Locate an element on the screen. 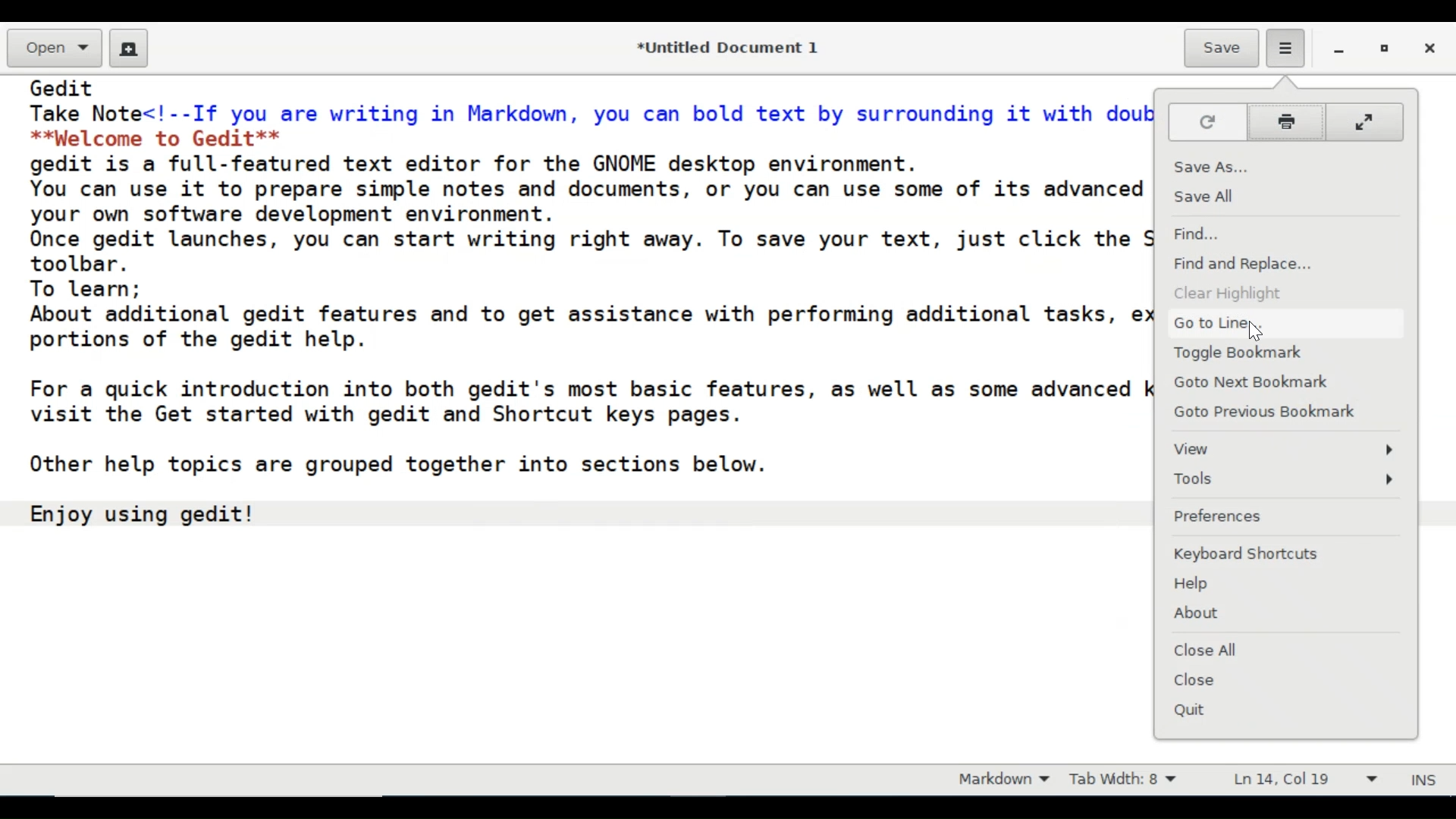 The image size is (1456, 819). Goto Previous Bookmark is located at coordinates (1272, 413).